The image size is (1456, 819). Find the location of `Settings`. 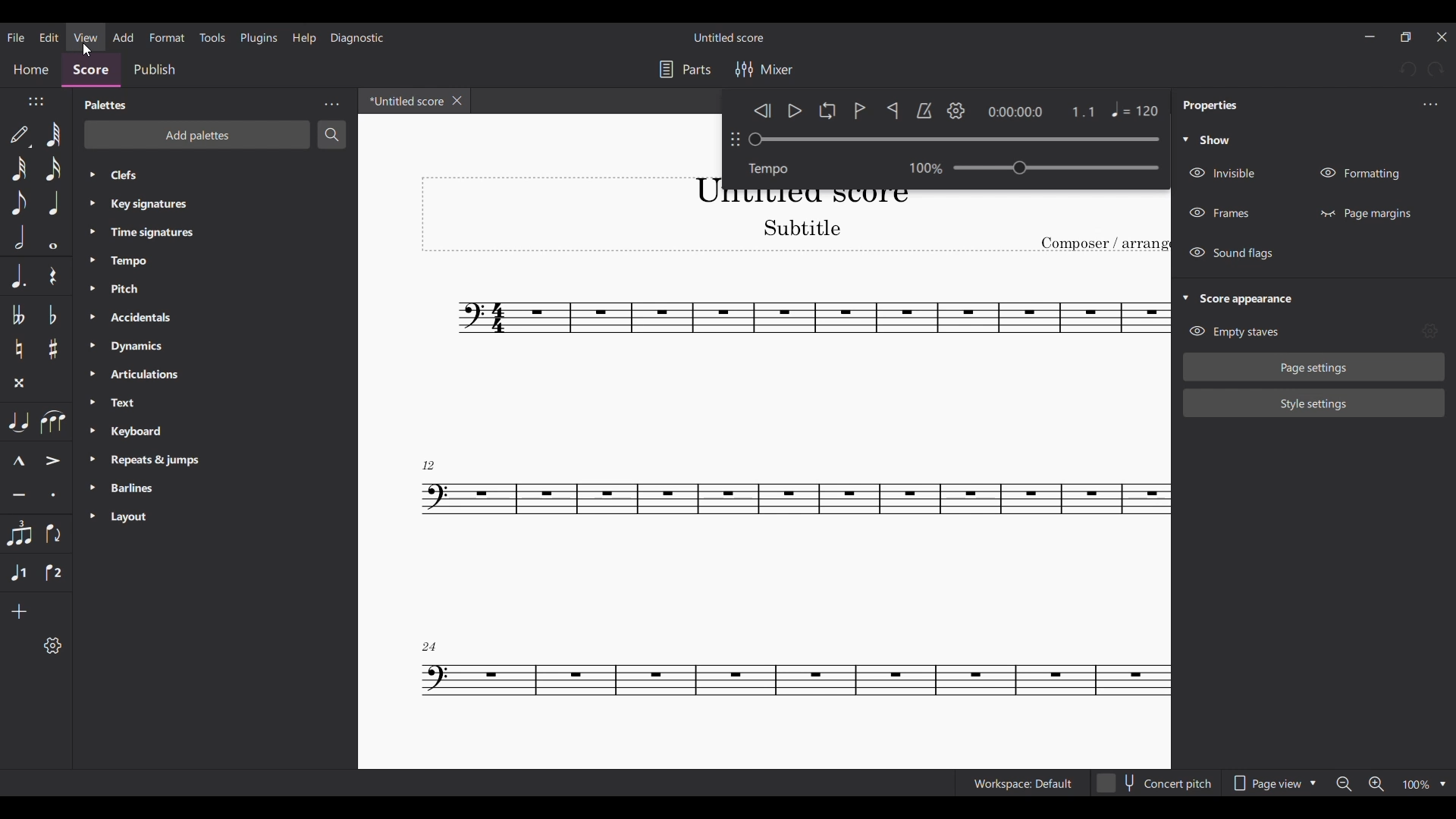

Settings is located at coordinates (956, 111).